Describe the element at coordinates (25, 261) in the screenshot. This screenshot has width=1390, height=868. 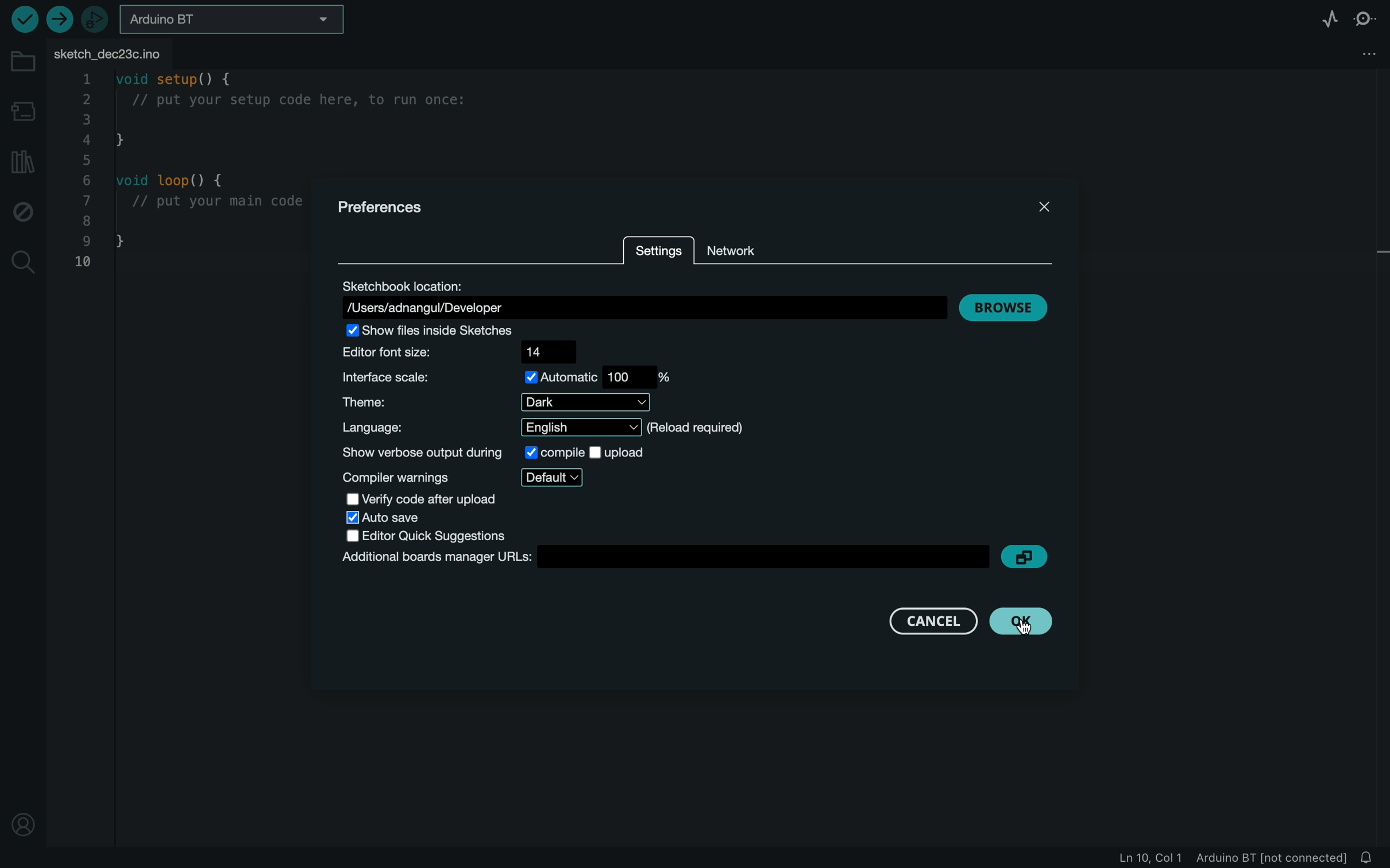
I see `search` at that location.